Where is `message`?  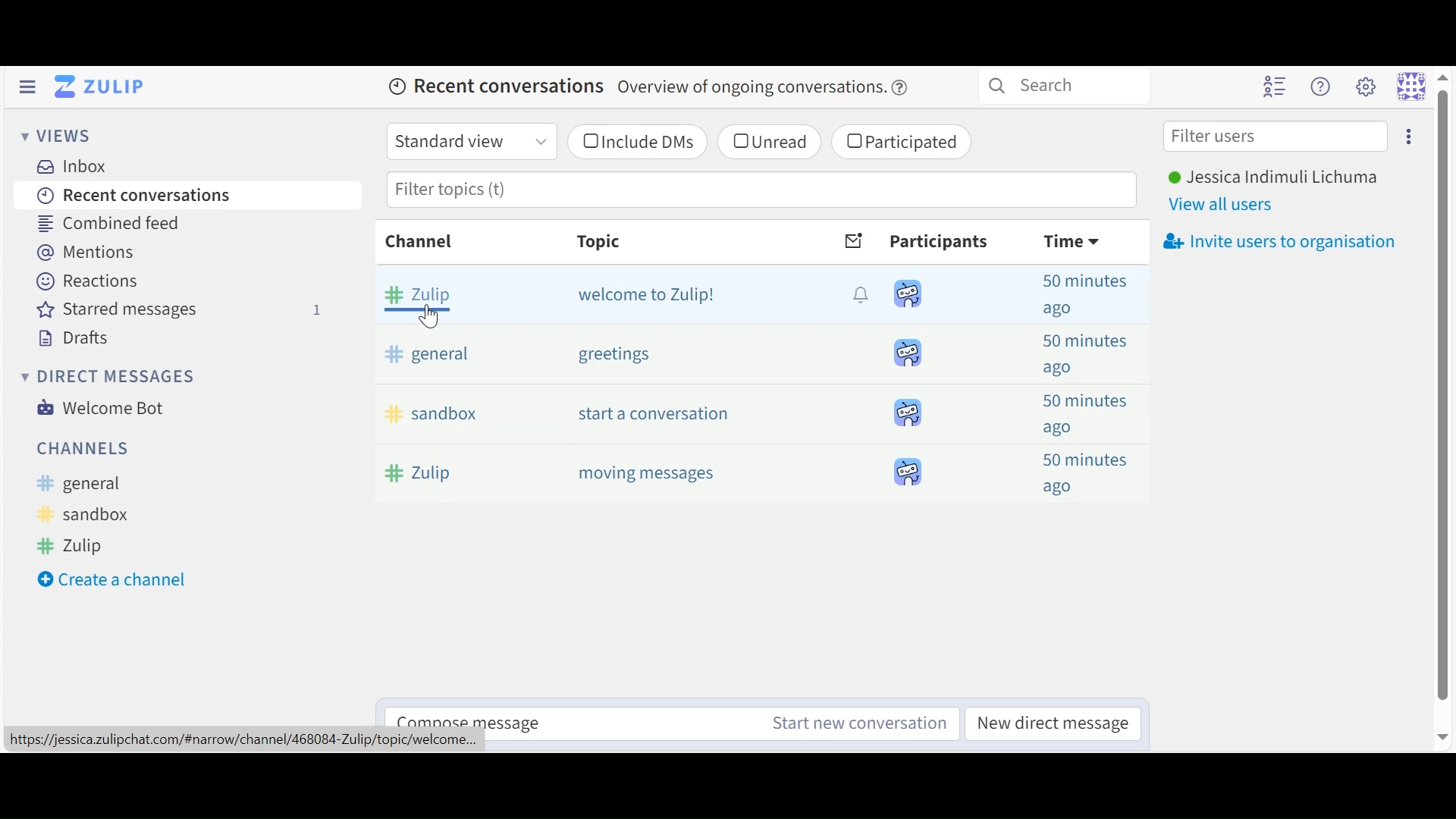 message is located at coordinates (767, 415).